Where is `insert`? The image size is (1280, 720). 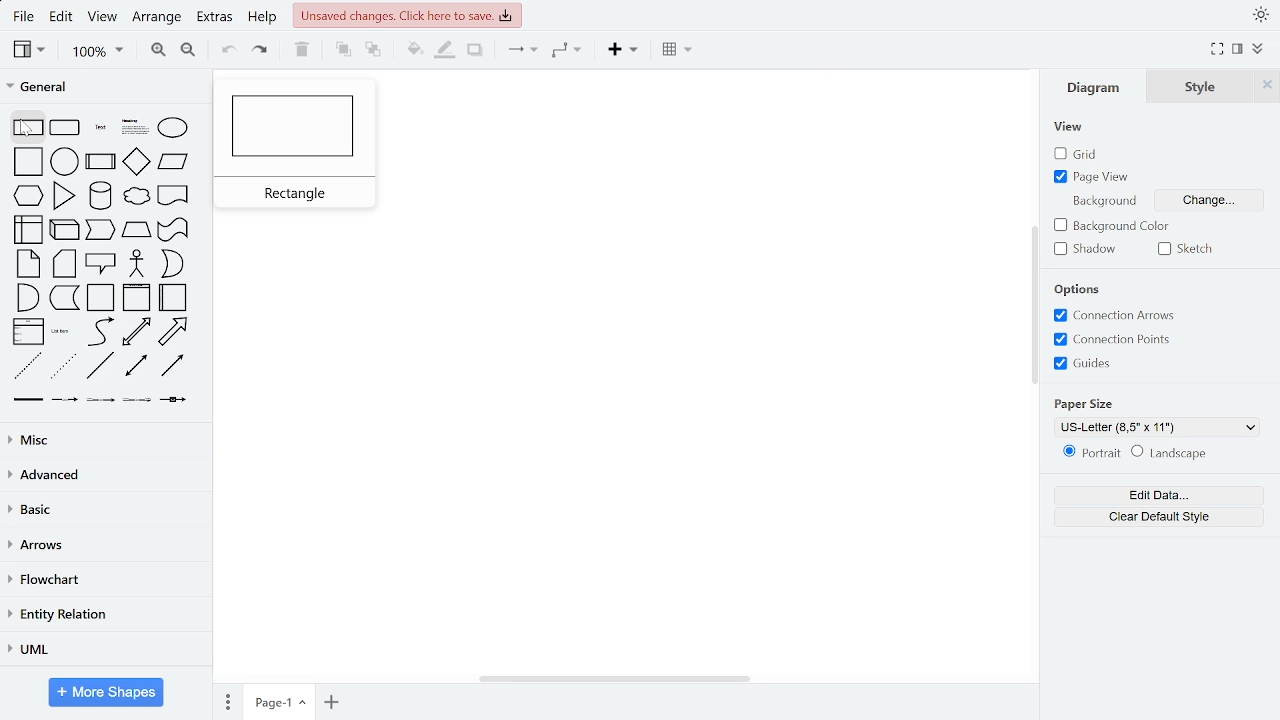
insert is located at coordinates (622, 52).